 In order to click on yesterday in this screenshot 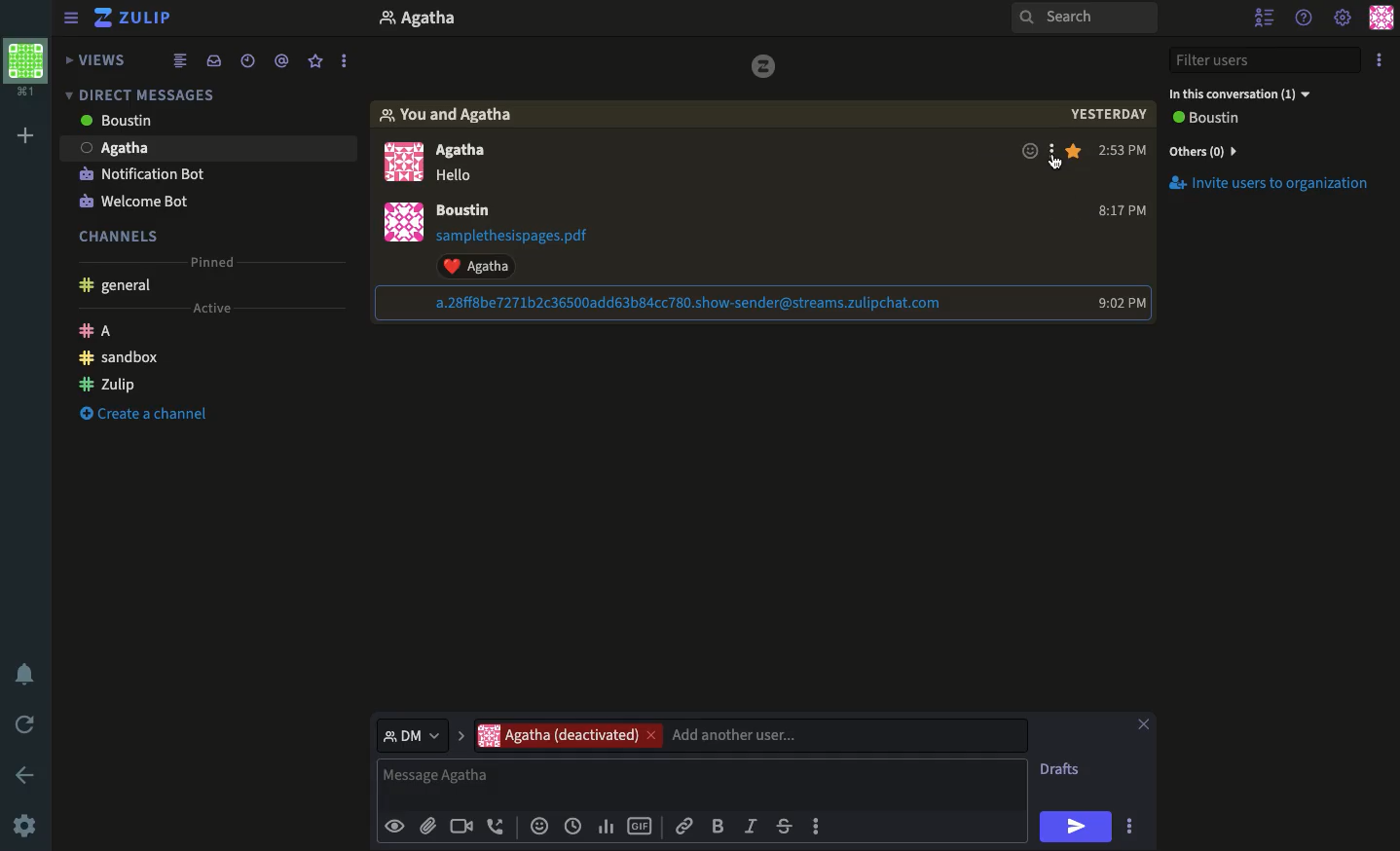, I will do `click(1110, 116)`.